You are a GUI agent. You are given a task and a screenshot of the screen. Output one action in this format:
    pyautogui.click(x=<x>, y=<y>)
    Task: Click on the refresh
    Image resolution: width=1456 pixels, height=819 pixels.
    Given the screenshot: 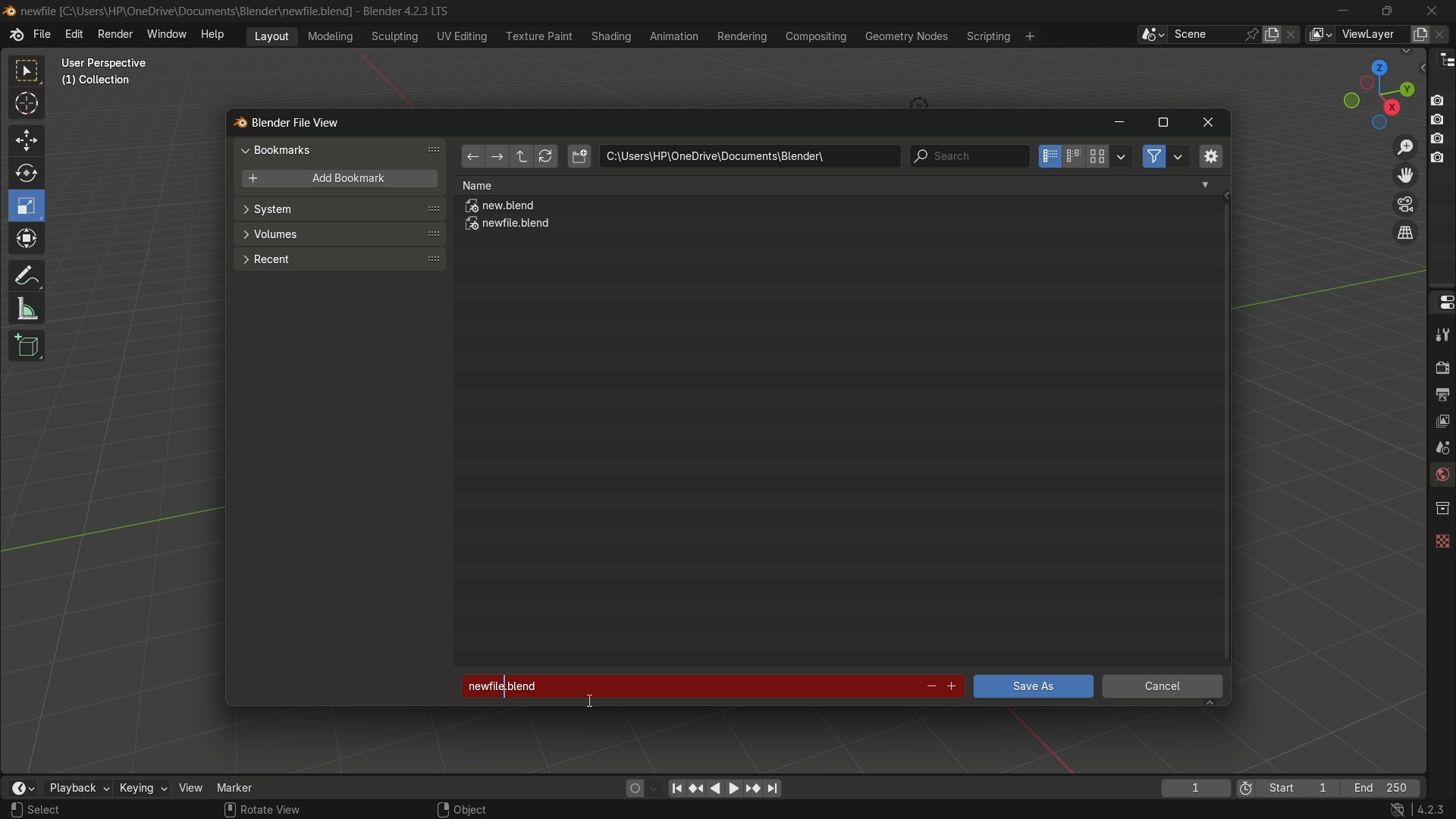 What is the action you would take?
    pyautogui.click(x=545, y=157)
    